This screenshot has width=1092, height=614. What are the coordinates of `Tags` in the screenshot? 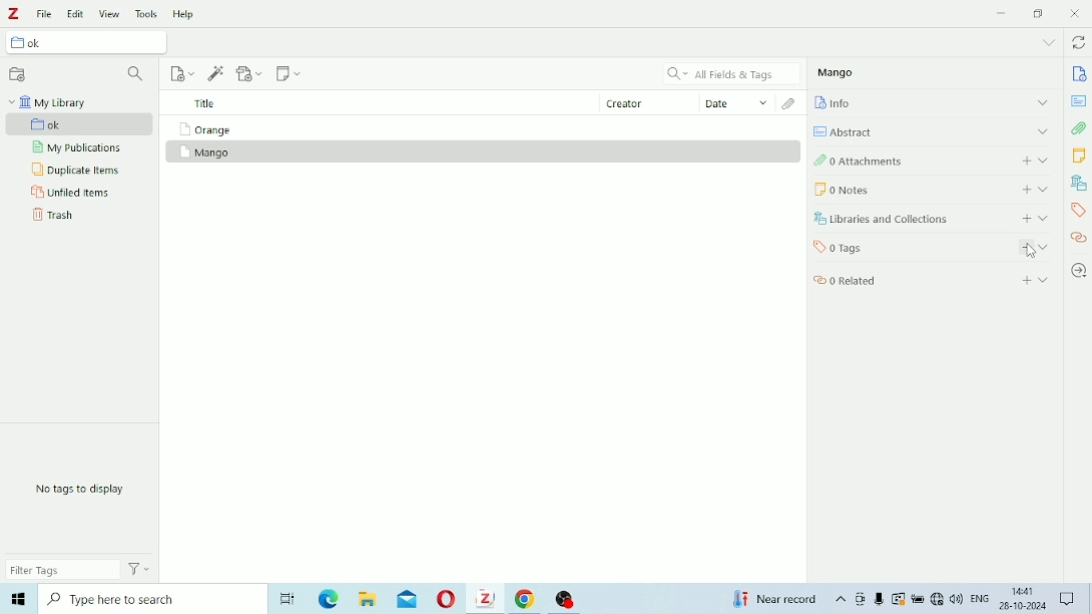 It's located at (1077, 210).